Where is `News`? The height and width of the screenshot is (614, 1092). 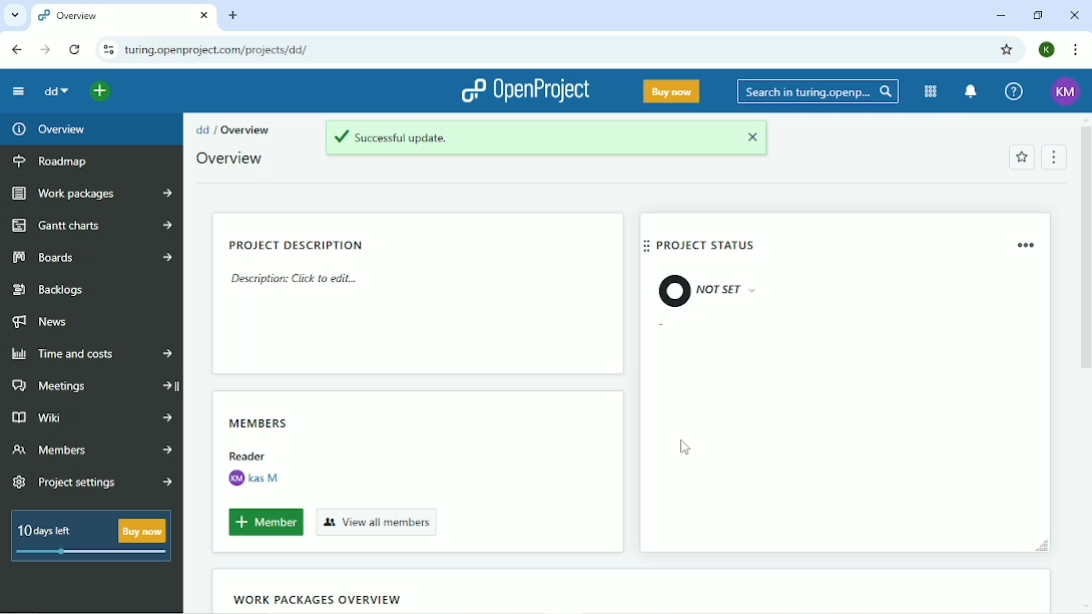 News is located at coordinates (45, 322).